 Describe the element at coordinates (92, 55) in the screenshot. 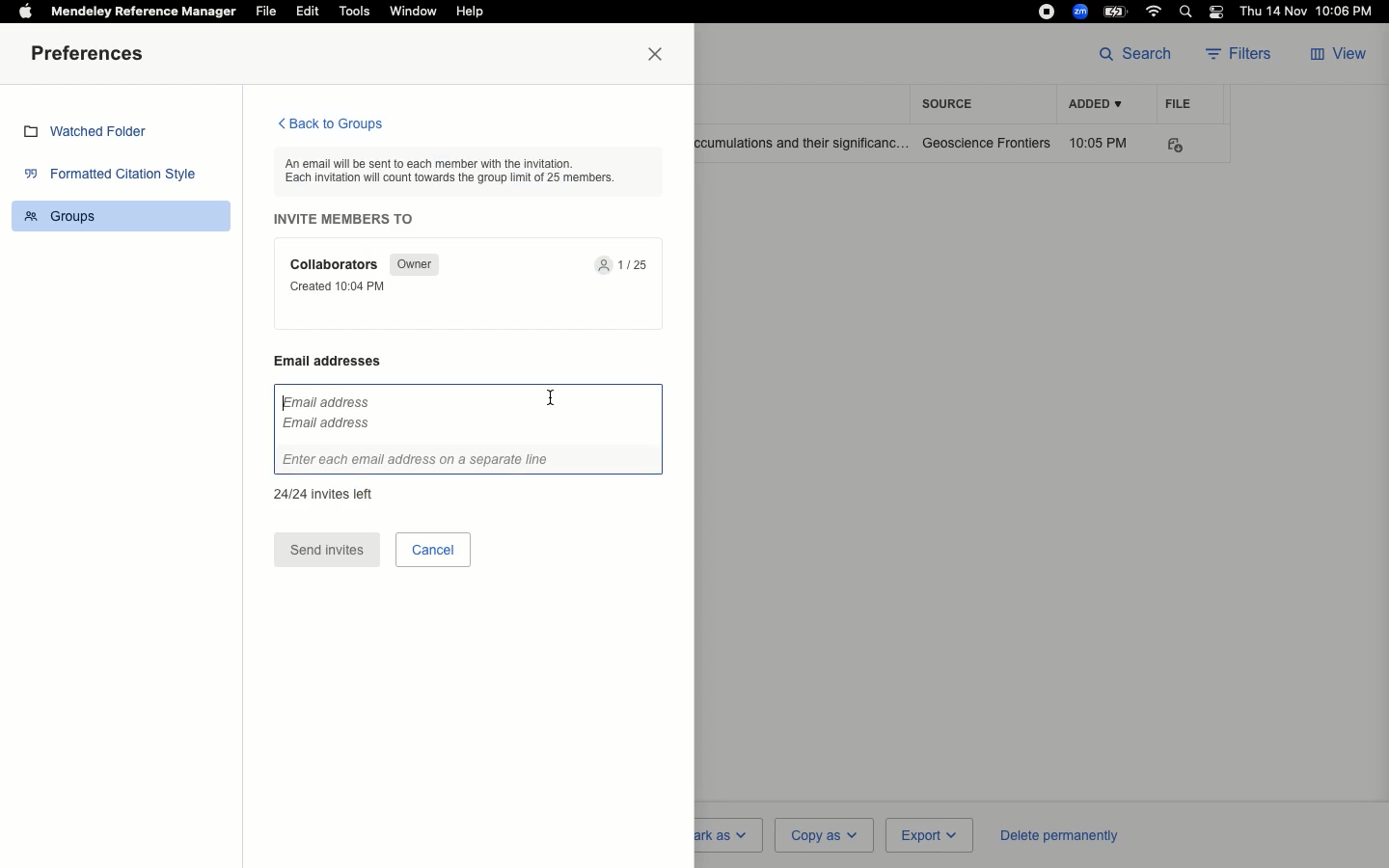

I see `Preferences` at that location.